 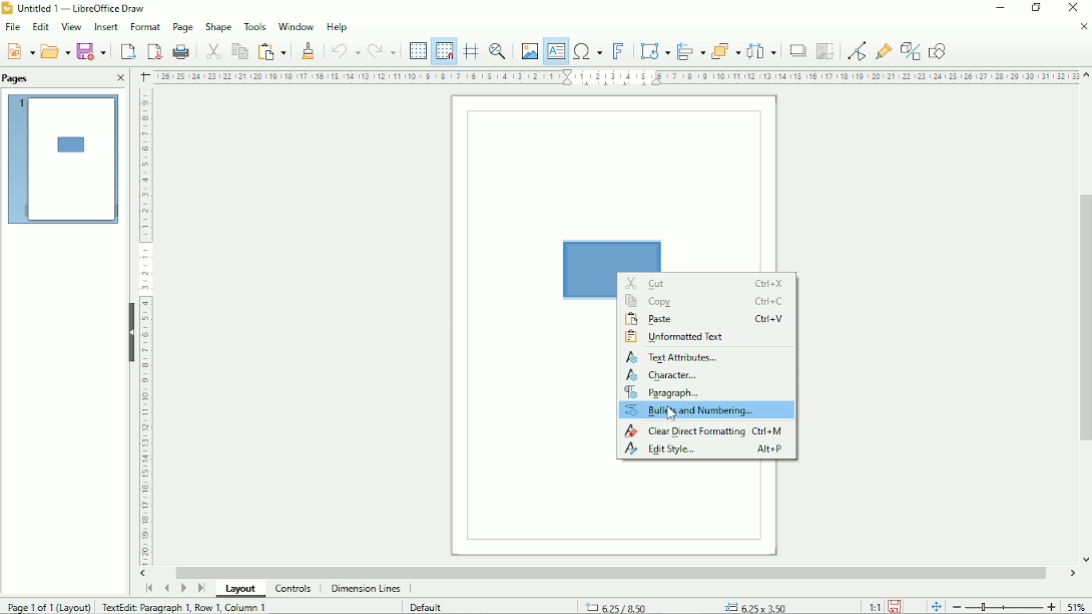 I want to click on Zoom & pan, so click(x=499, y=49).